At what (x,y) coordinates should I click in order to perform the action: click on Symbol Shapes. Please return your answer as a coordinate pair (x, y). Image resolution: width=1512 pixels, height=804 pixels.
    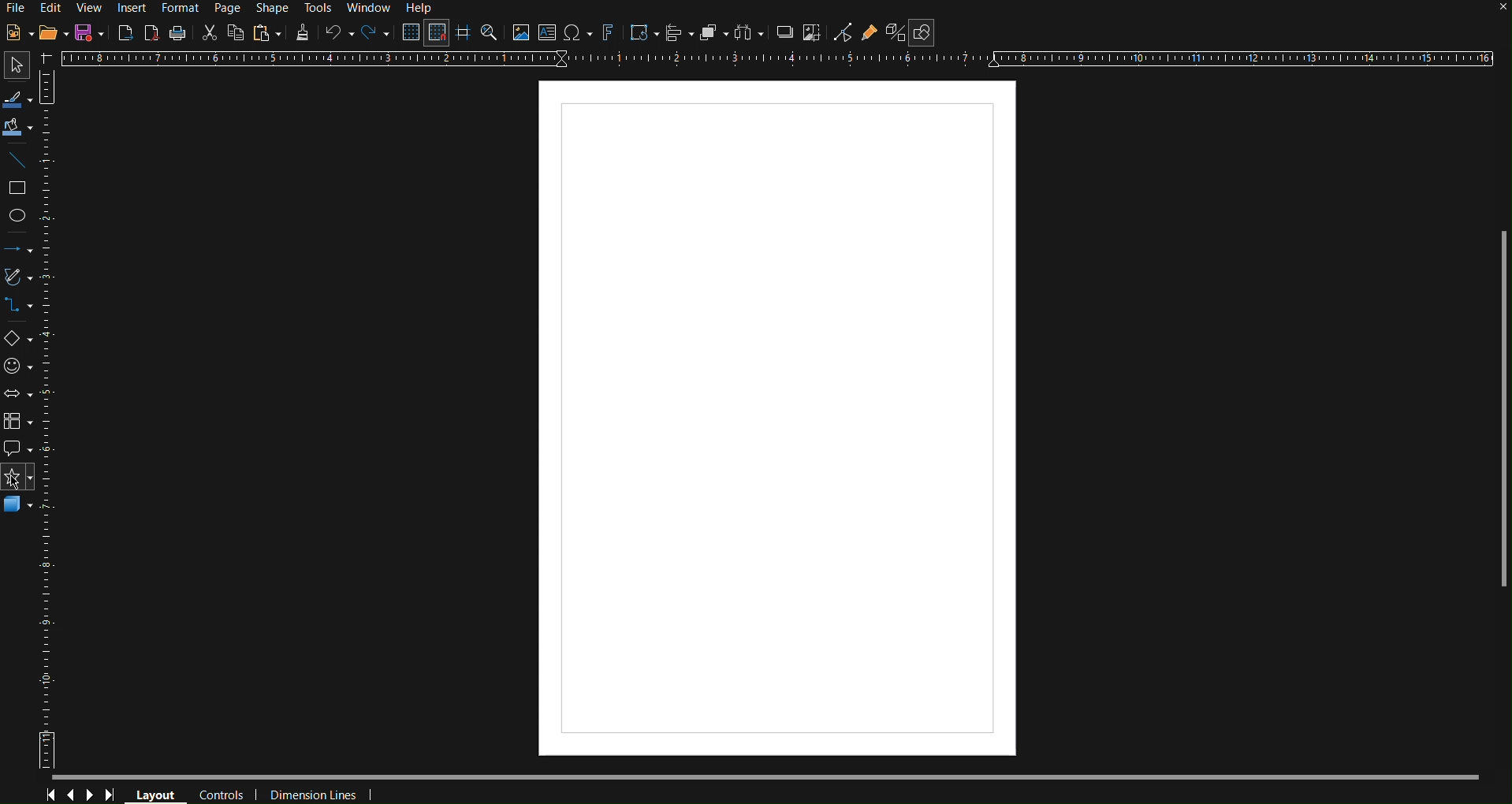
    Looking at the image, I should click on (20, 367).